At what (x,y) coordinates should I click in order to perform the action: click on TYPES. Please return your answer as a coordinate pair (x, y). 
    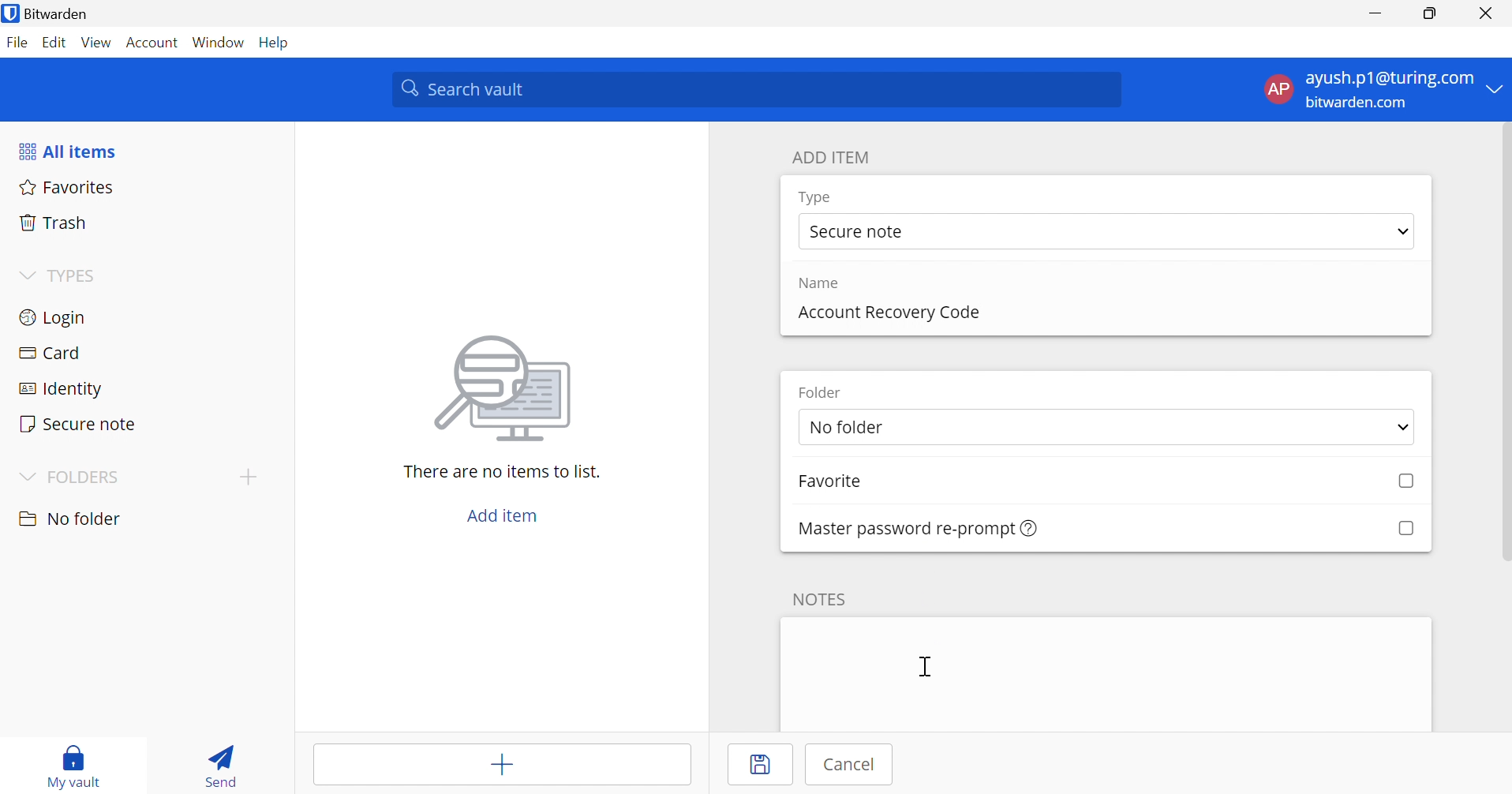
    Looking at the image, I should click on (76, 277).